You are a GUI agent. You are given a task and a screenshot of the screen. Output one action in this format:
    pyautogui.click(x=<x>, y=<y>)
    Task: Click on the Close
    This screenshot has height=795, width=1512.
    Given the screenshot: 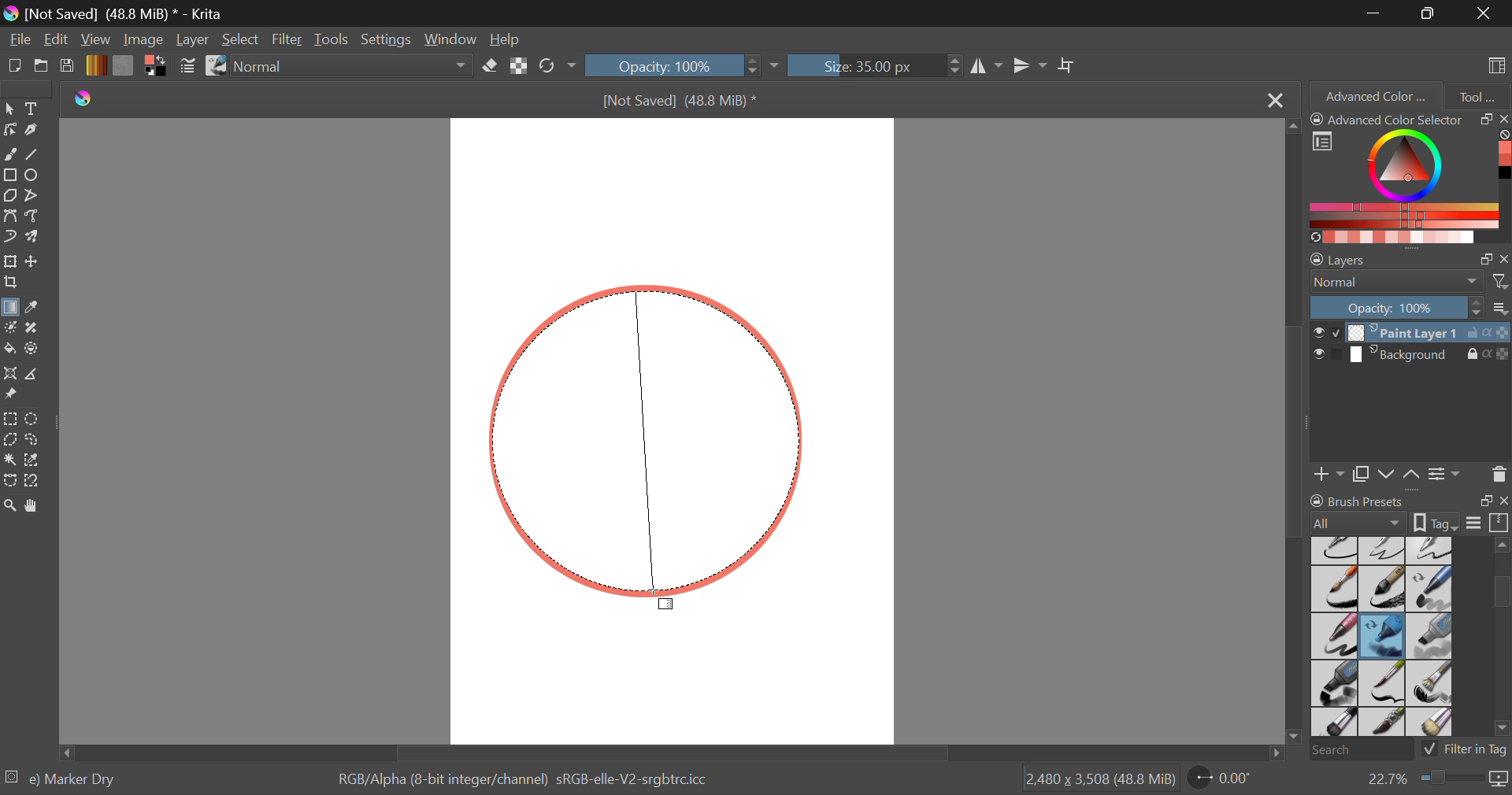 What is the action you would take?
    pyautogui.click(x=1484, y=13)
    